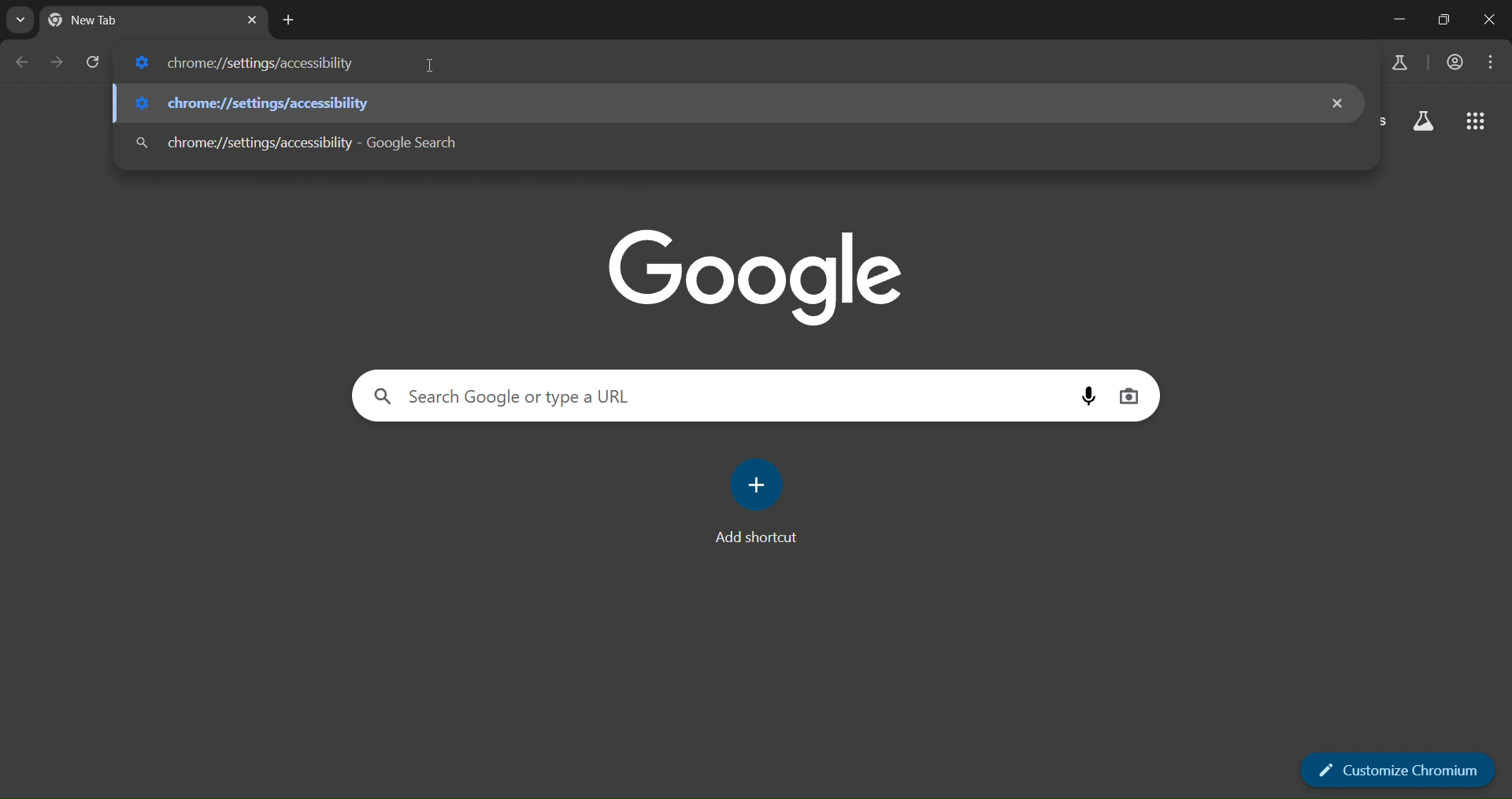 The width and height of the screenshot is (1512, 799). Describe the element at coordinates (251, 22) in the screenshot. I see `close tab` at that location.